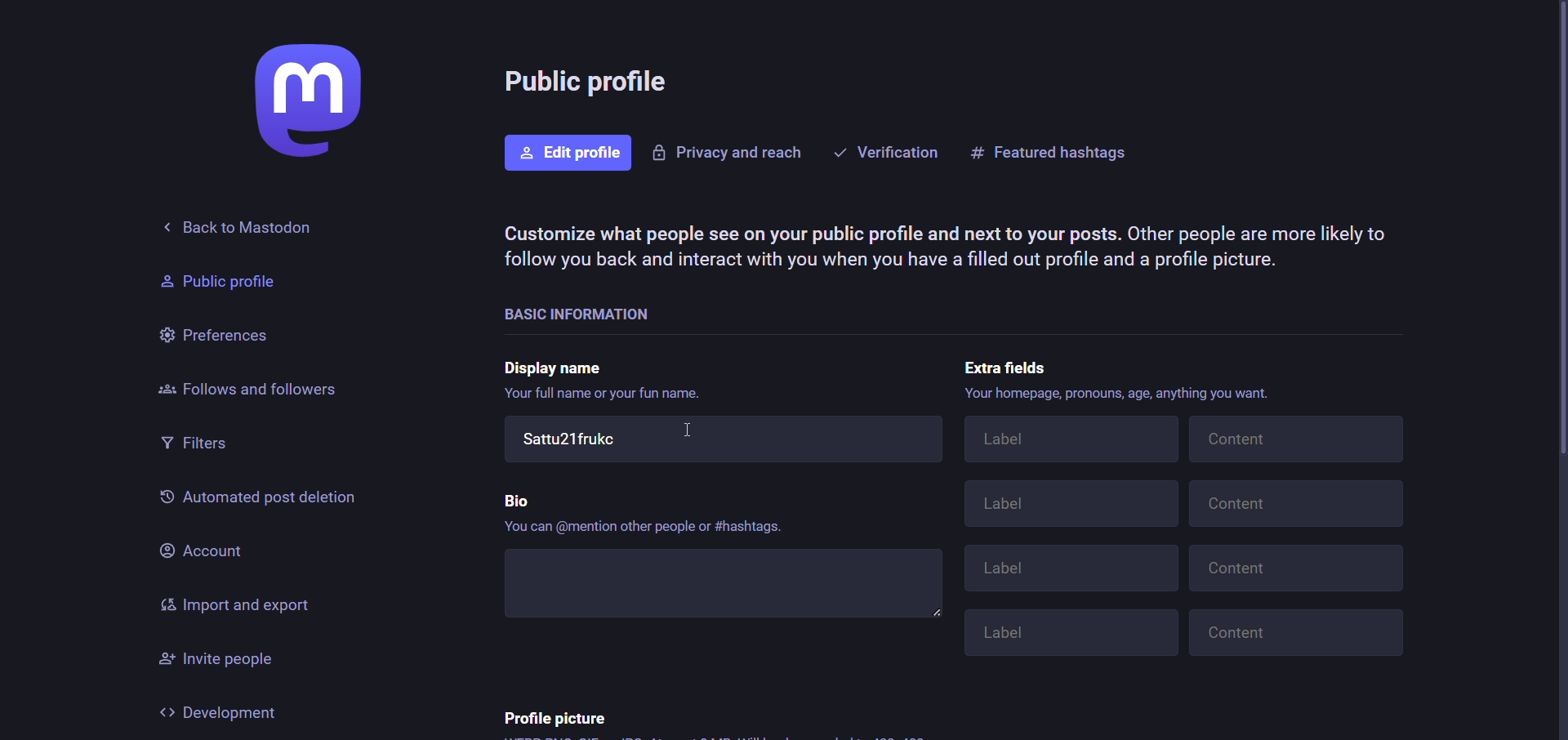 Image resolution: width=1568 pixels, height=740 pixels. What do you see at coordinates (568, 154) in the screenshot?
I see `edit profile` at bounding box center [568, 154].